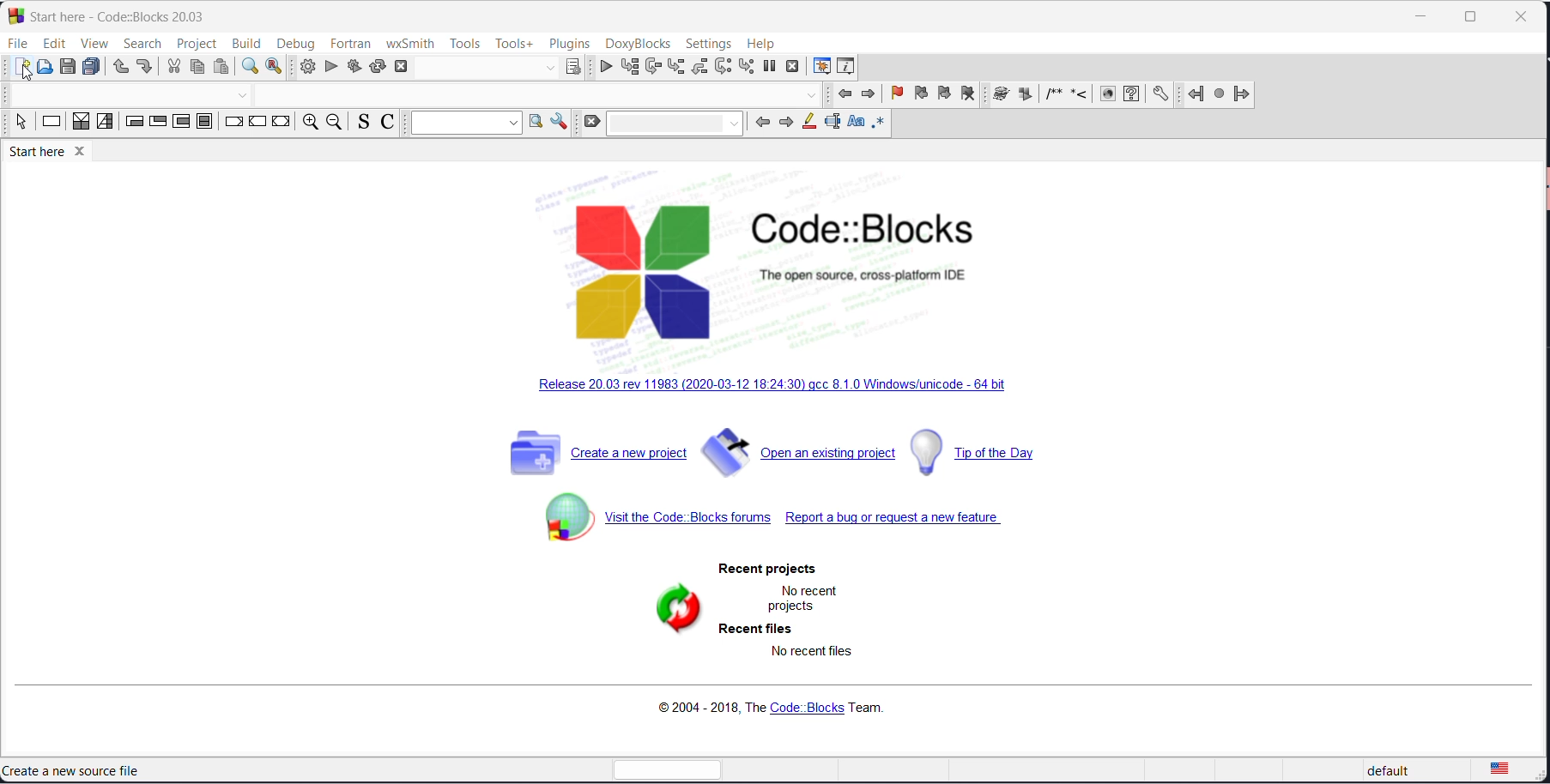 This screenshot has height=784, width=1550. What do you see at coordinates (307, 124) in the screenshot?
I see `zoom in` at bounding box center [307, 124].